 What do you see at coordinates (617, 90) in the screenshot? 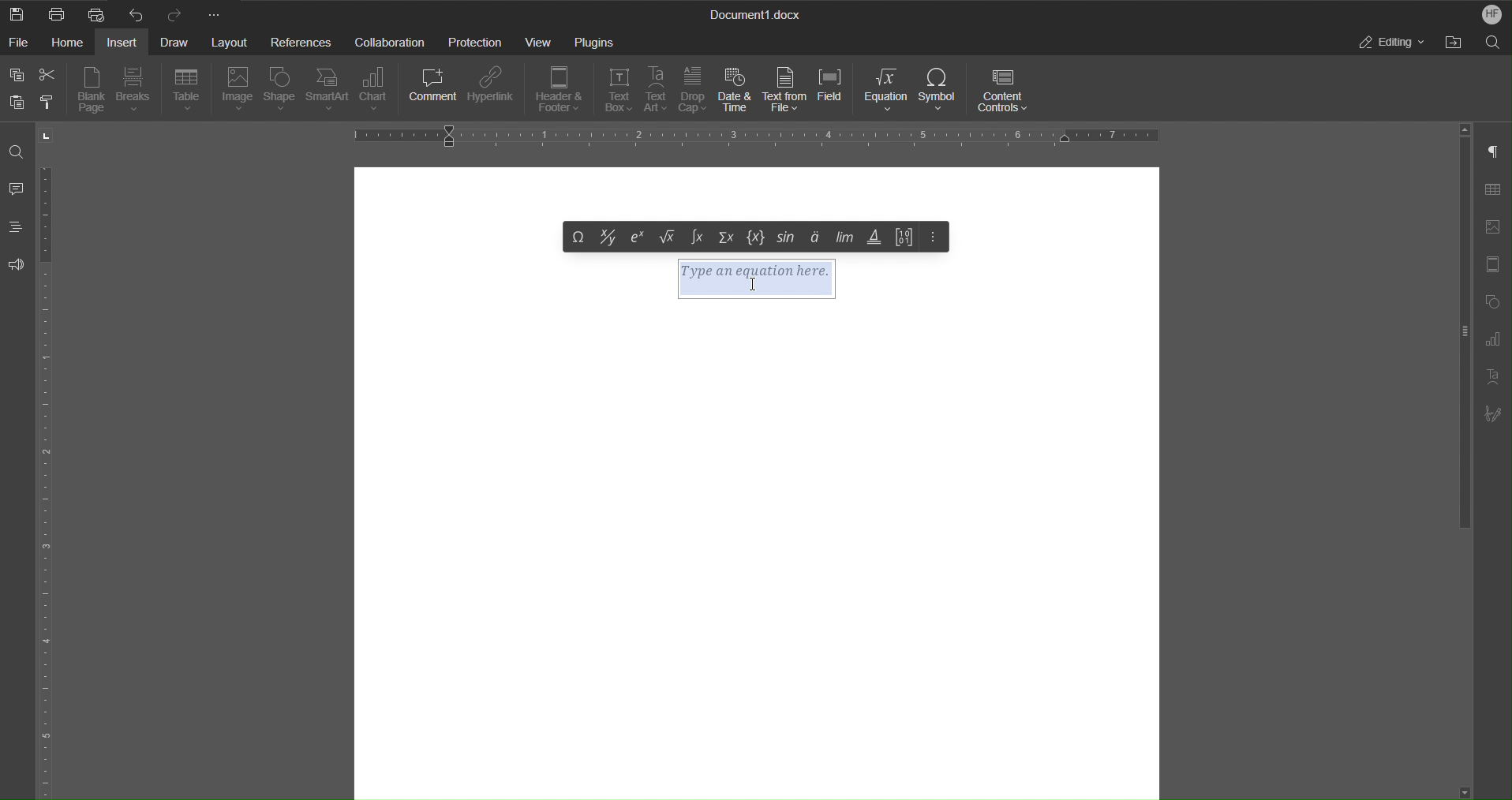
I see `Text Box` at bounding box center [617, 90].